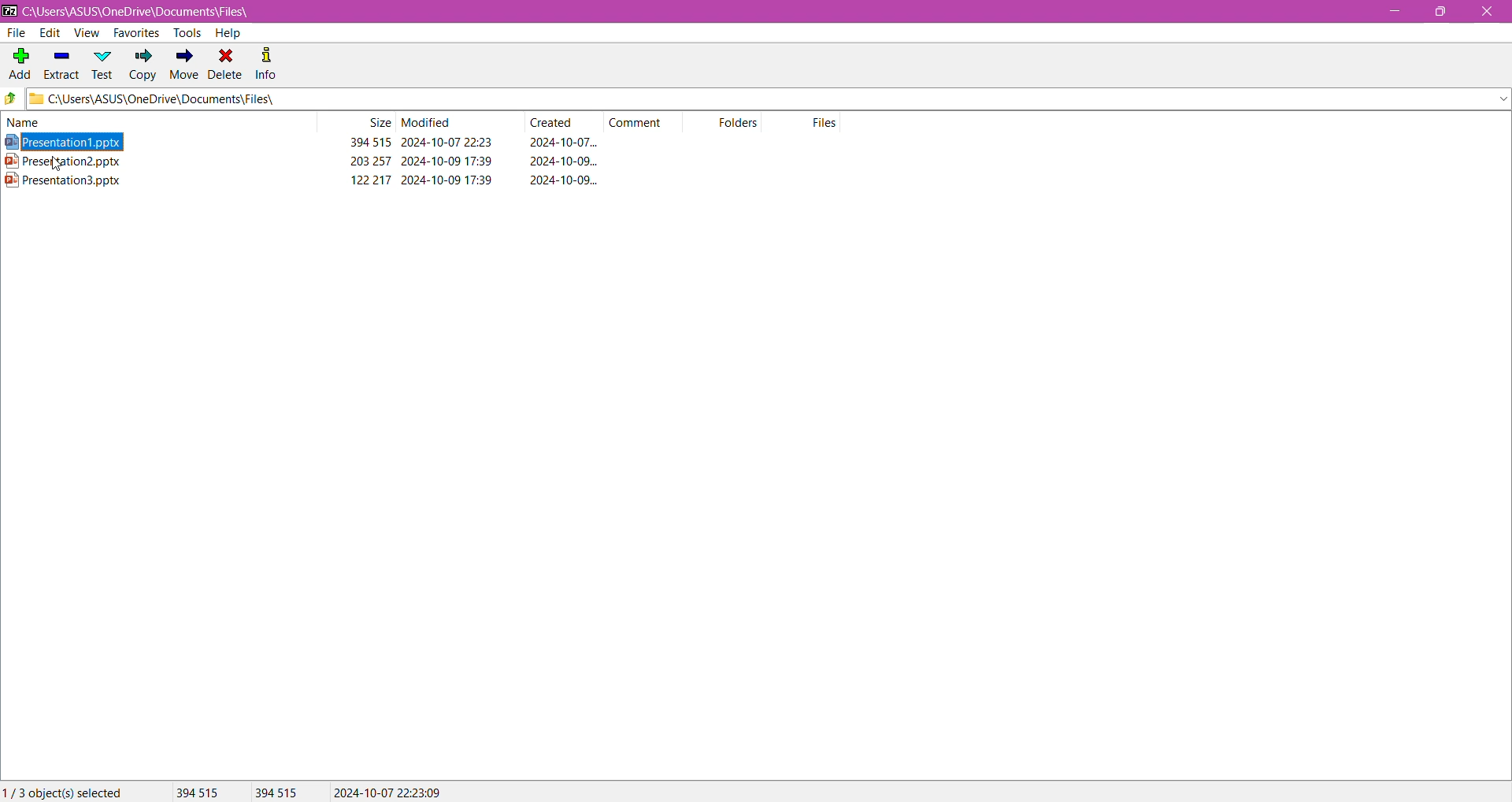 This screenshot has height=802, width=1512. What do you see at coordinates (267, 62) in the screenshot?
I see `Info` at bounding box center [267, 62].